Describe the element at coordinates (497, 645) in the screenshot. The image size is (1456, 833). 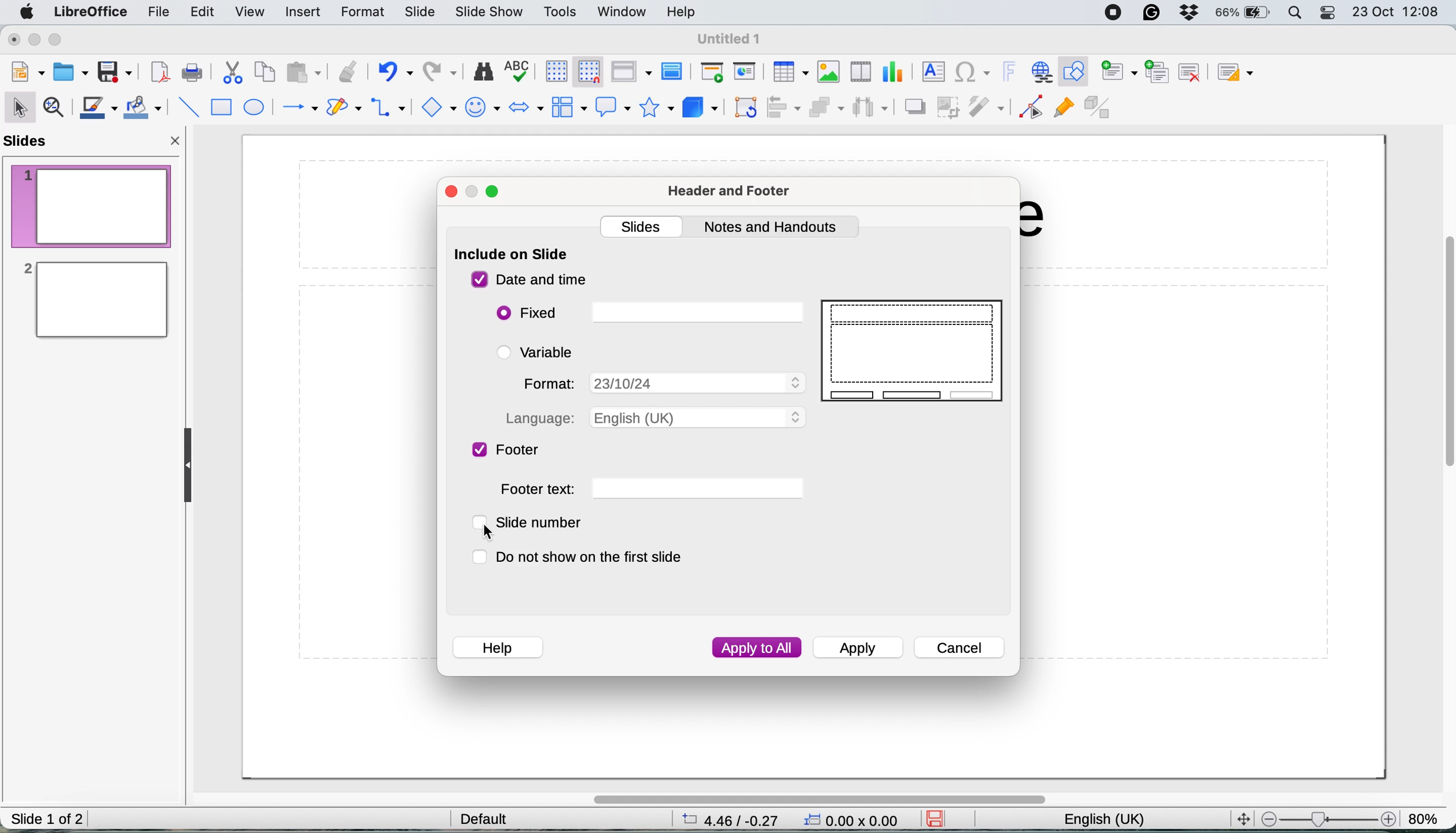
I see `help` at that location.